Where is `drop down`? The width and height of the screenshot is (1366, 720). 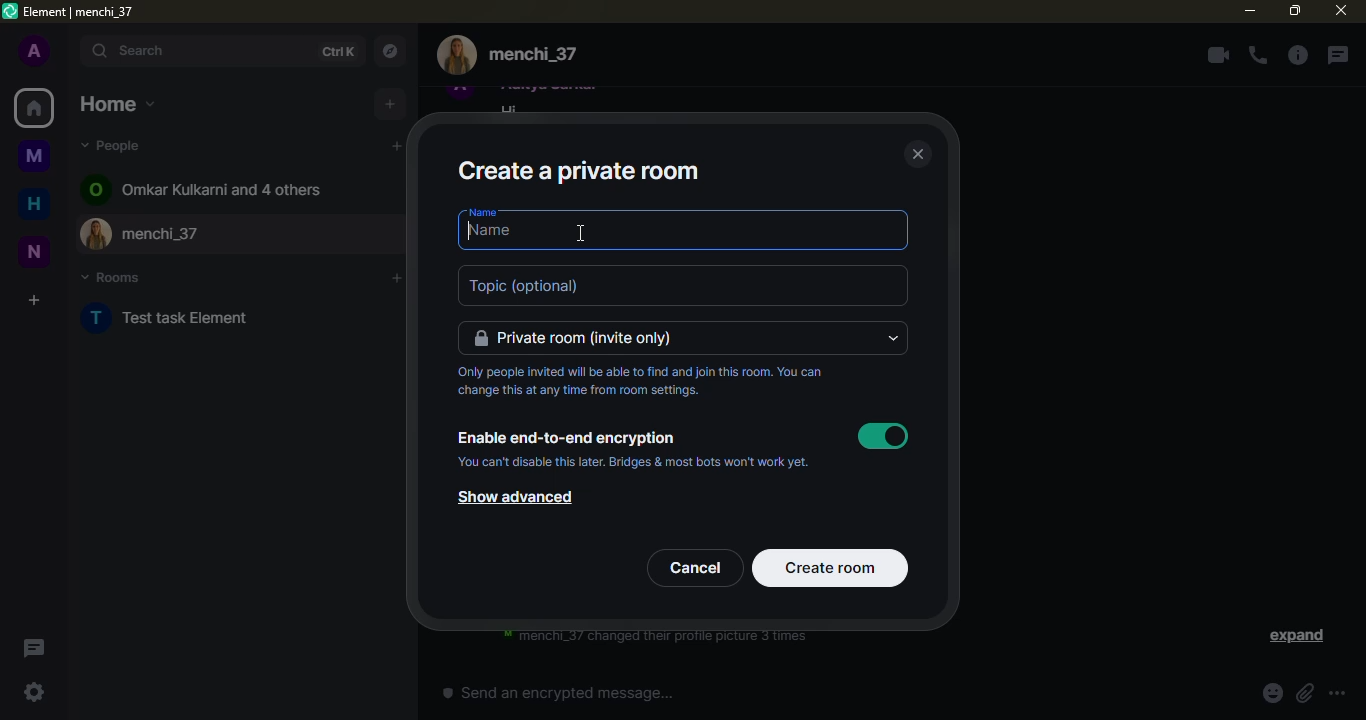 drop down is located at coordinates (893, 338).